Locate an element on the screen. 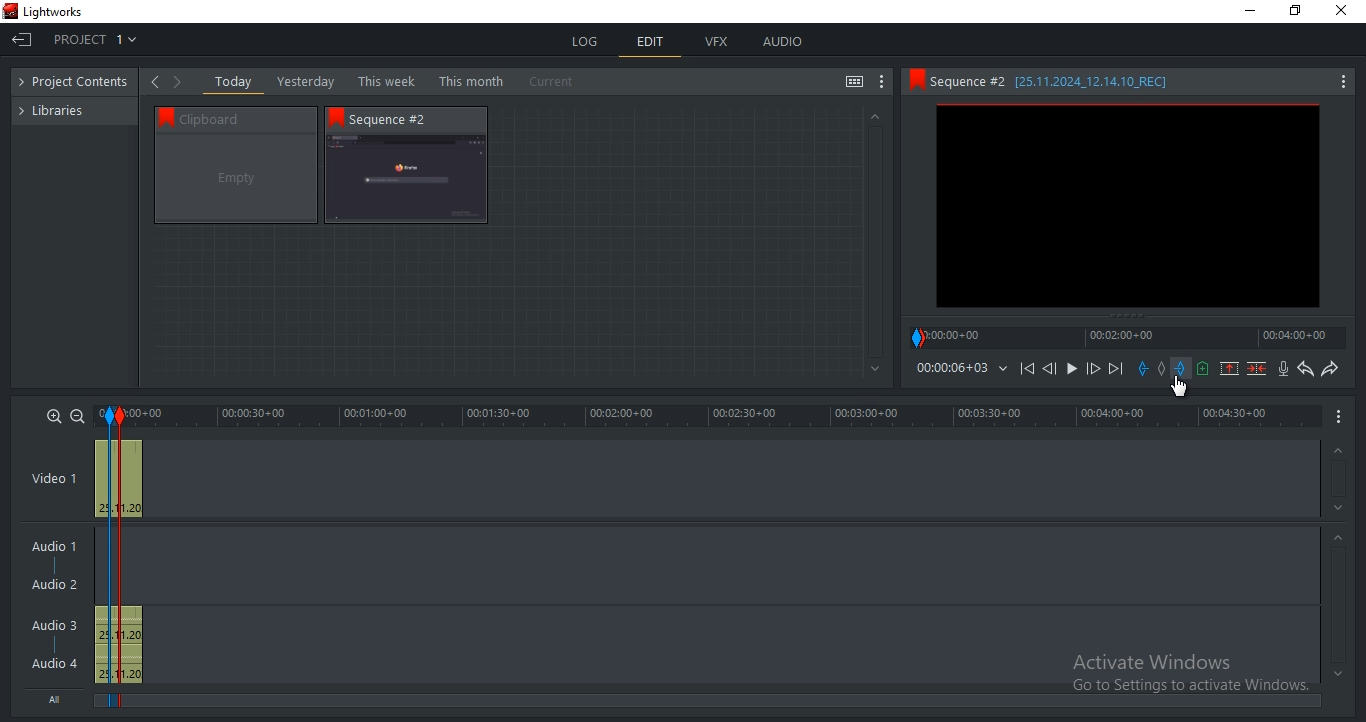 This screenshot has width=1366, height=722. audio is located at coordinates (782, 41).